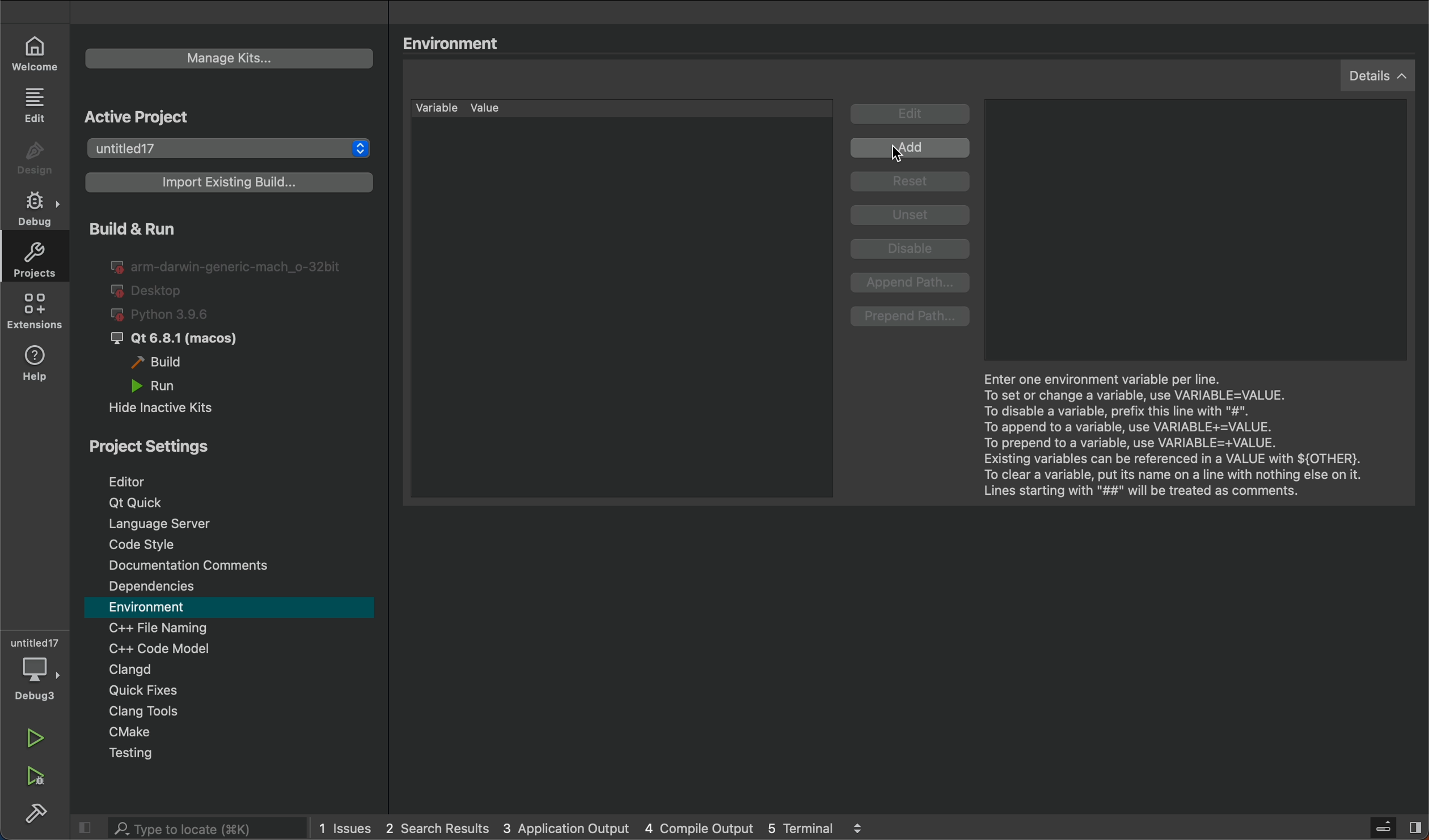 The width and height of the screenshot is (1429, 840). What do you see at coordinates (184, 828) in the screenshot?
I see `search` at bounding box center [184, 828].